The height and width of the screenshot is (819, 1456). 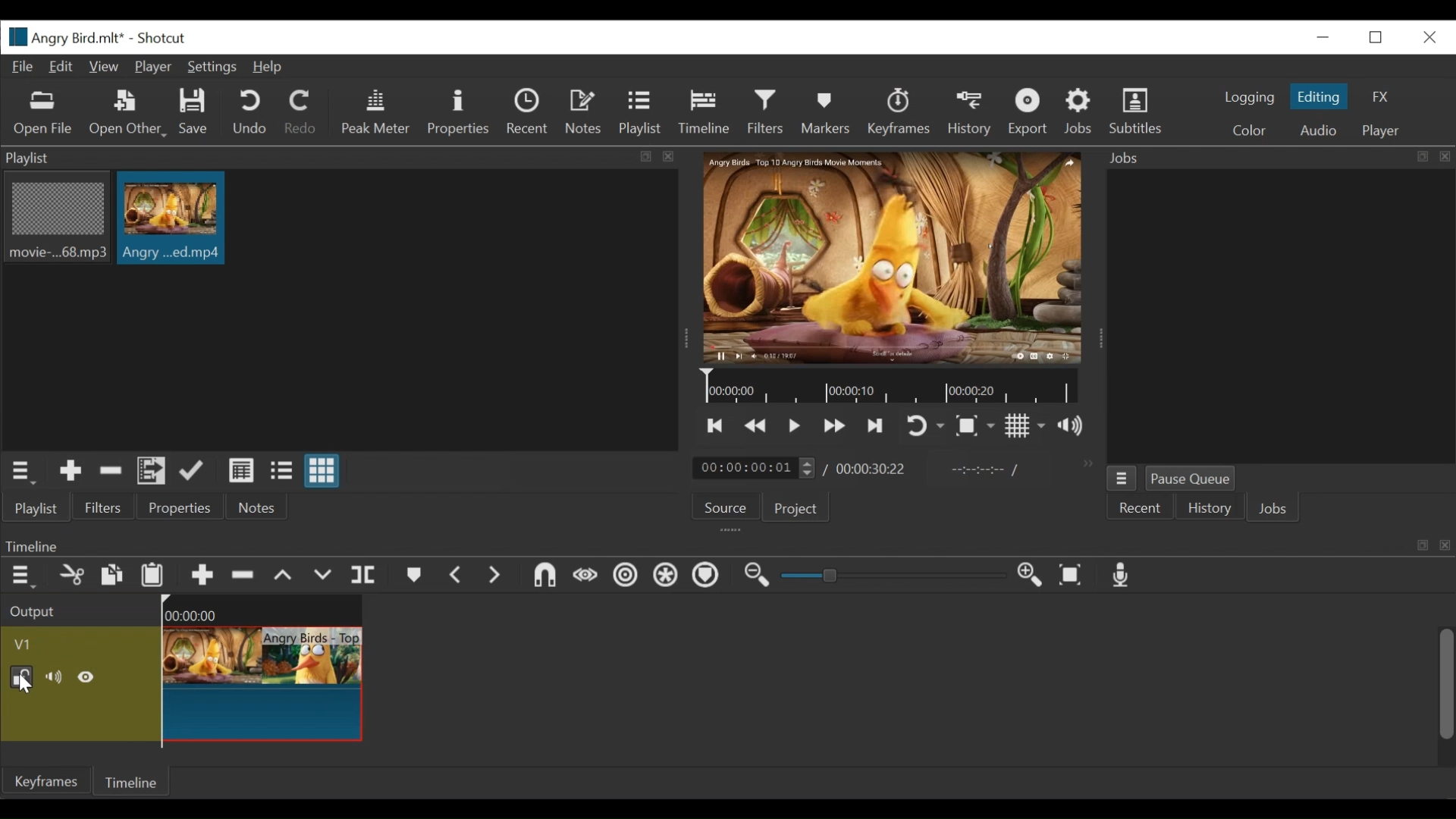 I want to click on Ripple Markers, so click(x=708, y=576).